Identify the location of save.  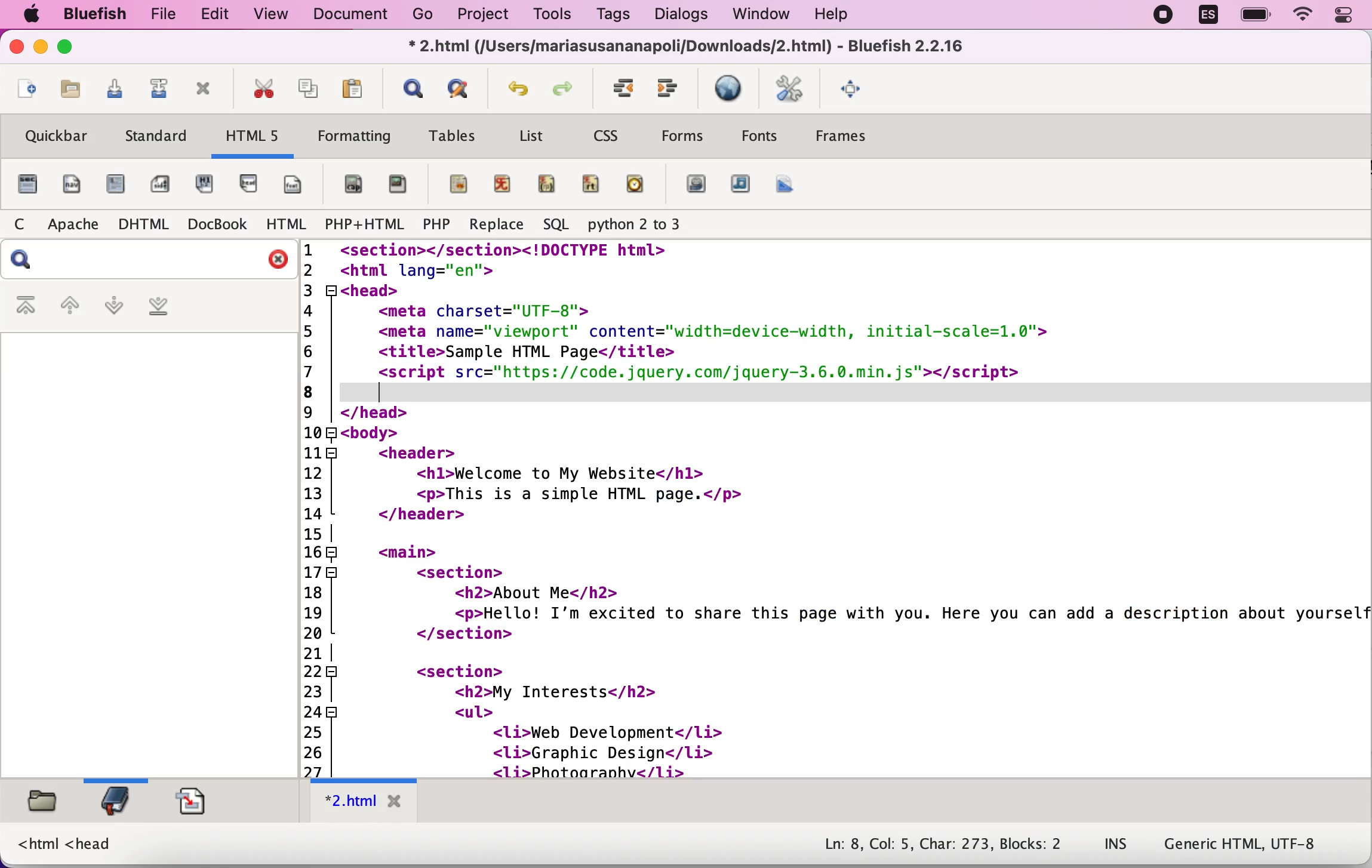
(115, 90).